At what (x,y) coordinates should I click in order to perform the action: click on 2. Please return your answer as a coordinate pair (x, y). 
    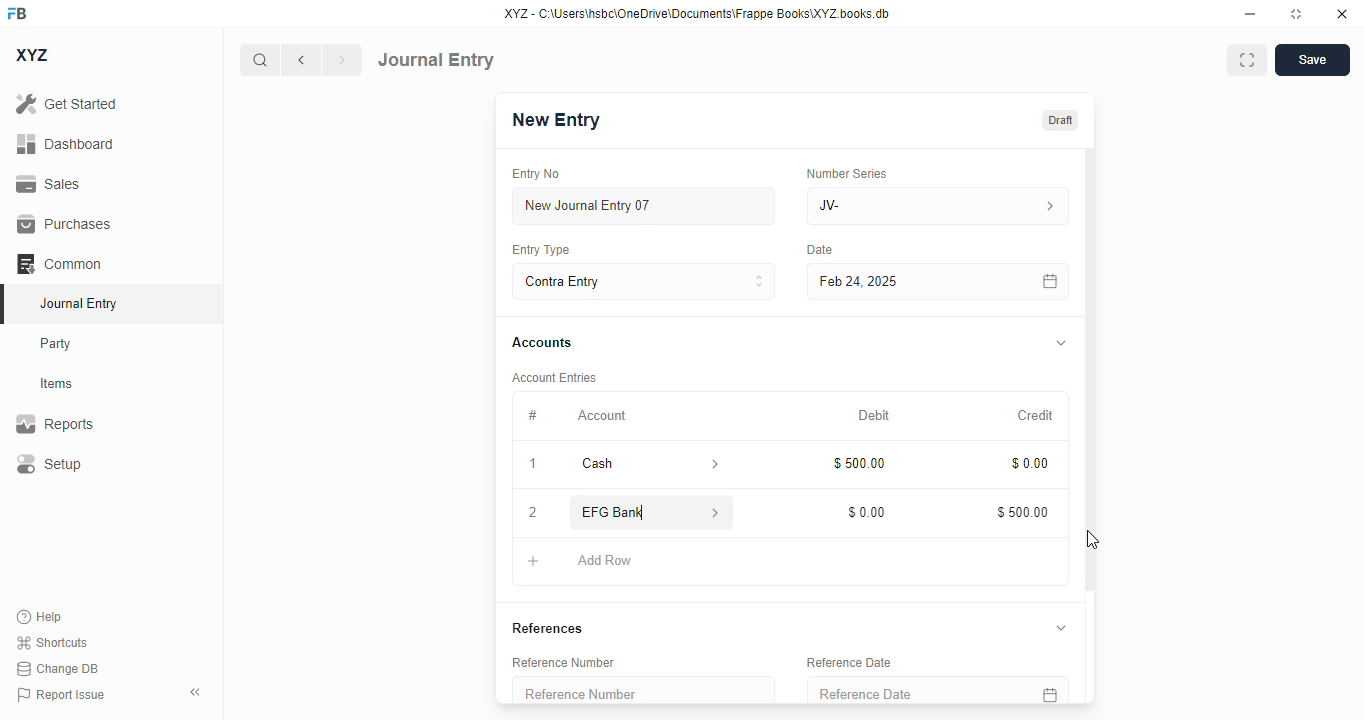
    Looking at the image, I should click on (533, 513).